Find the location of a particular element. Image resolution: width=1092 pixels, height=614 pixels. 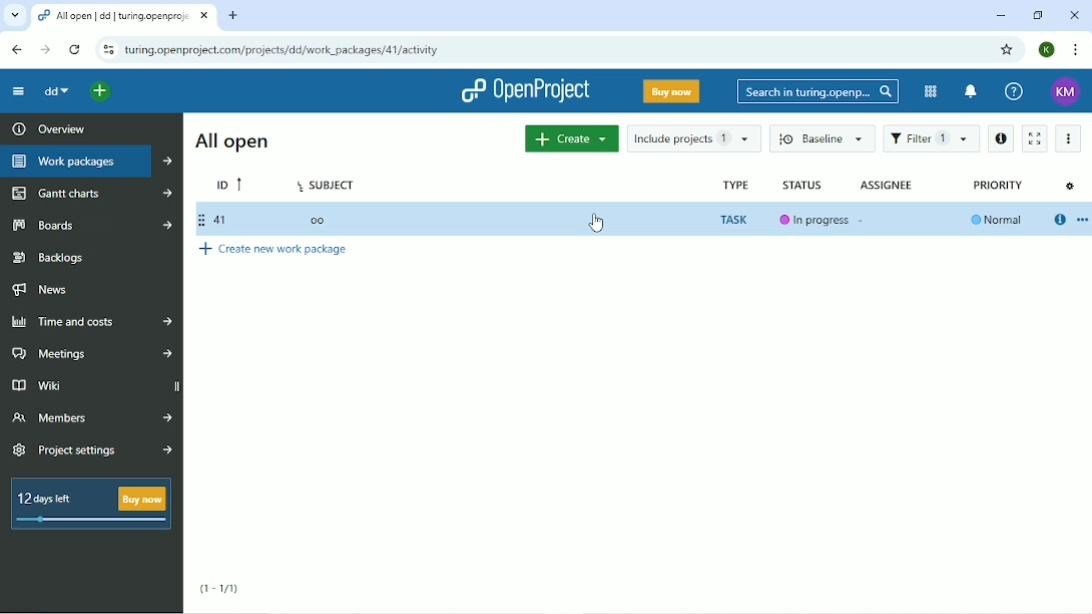

Activate zen mode is located at coordinates (1034, 139).